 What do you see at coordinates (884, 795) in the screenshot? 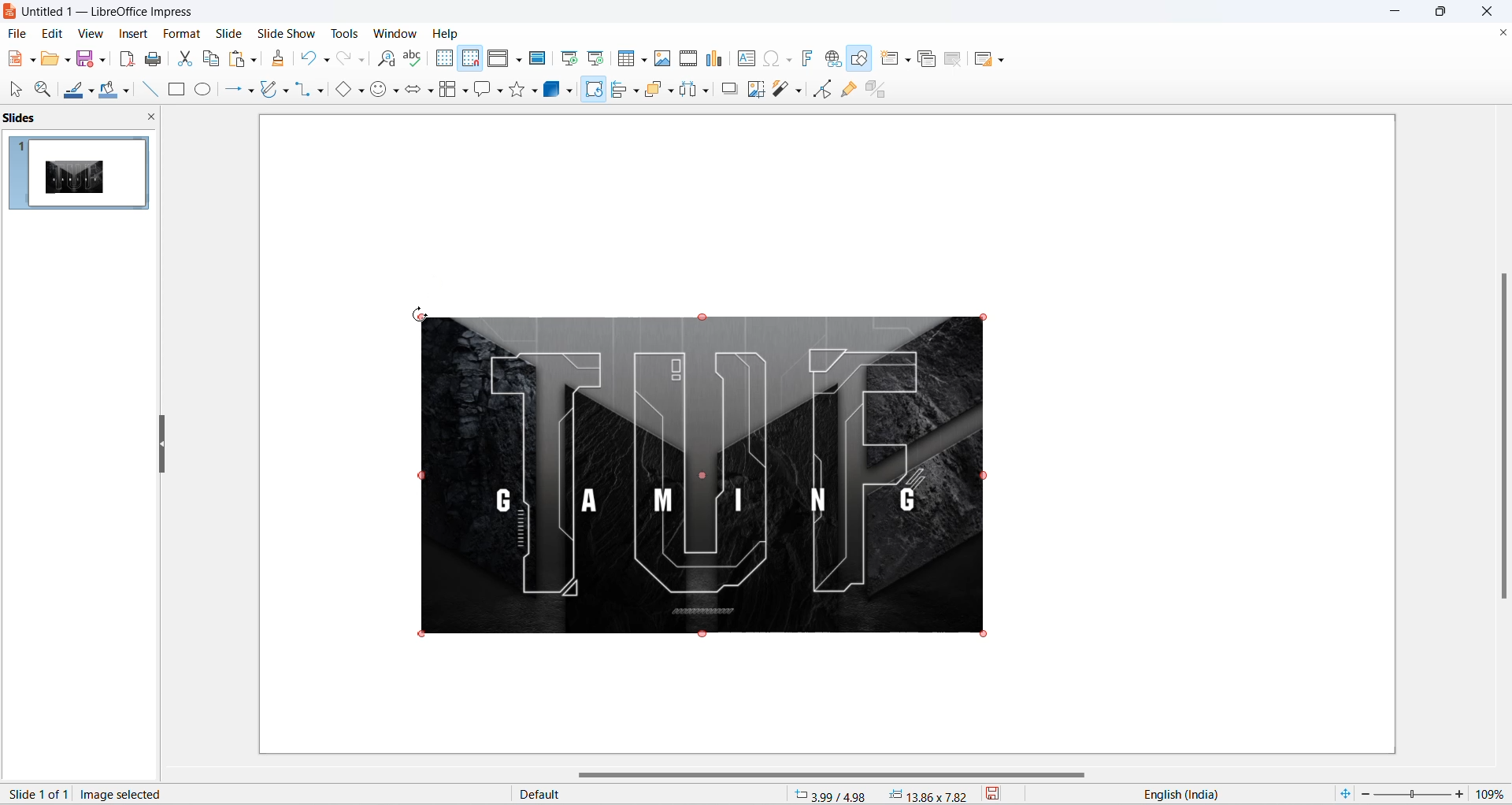
I see `cursor and selection coordinates` at bounding box center [884, 795].